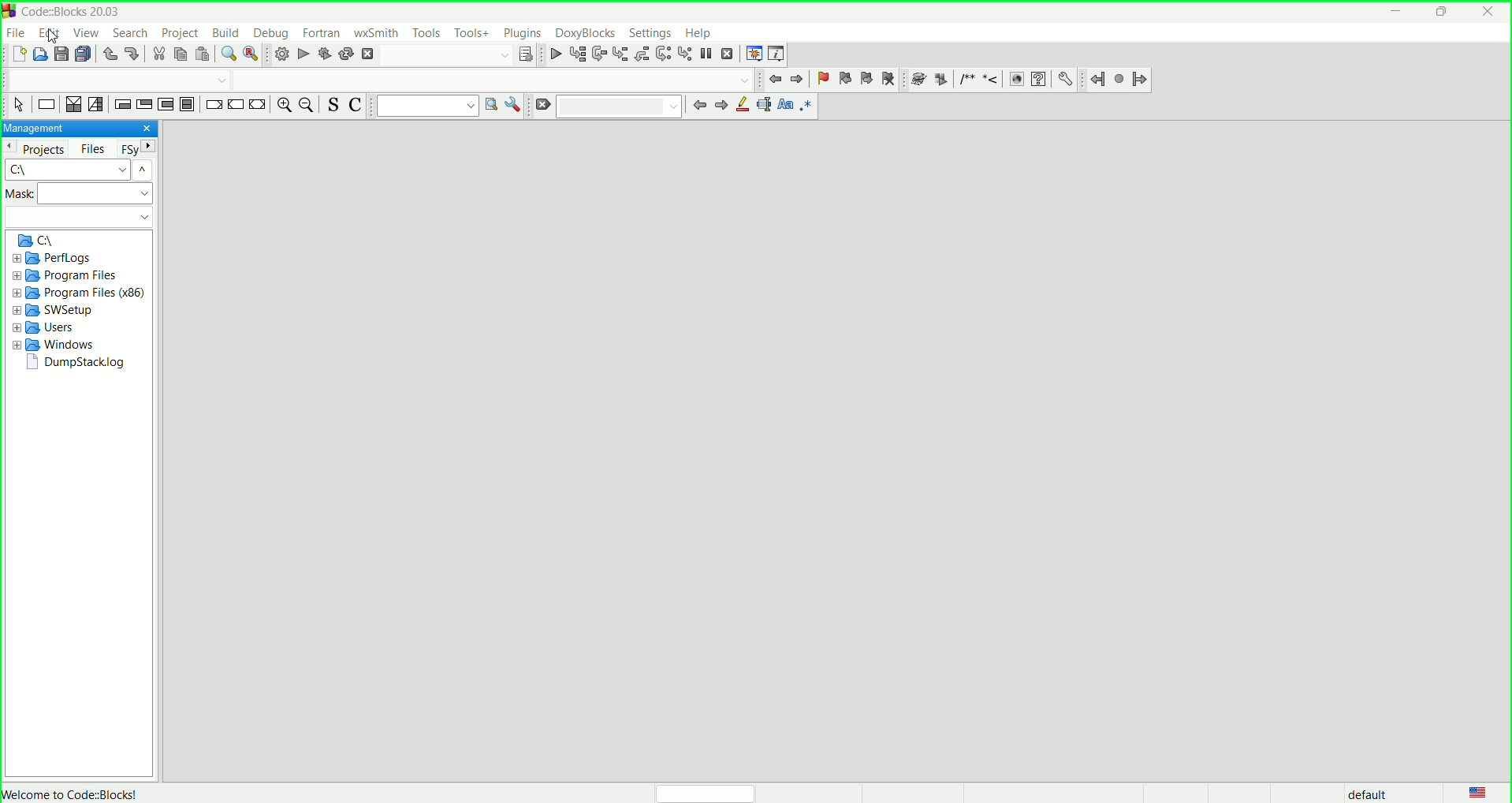 Image resolution: width=1512 pixels, height=803 pixels. I want to click on find, so click(225, 55).